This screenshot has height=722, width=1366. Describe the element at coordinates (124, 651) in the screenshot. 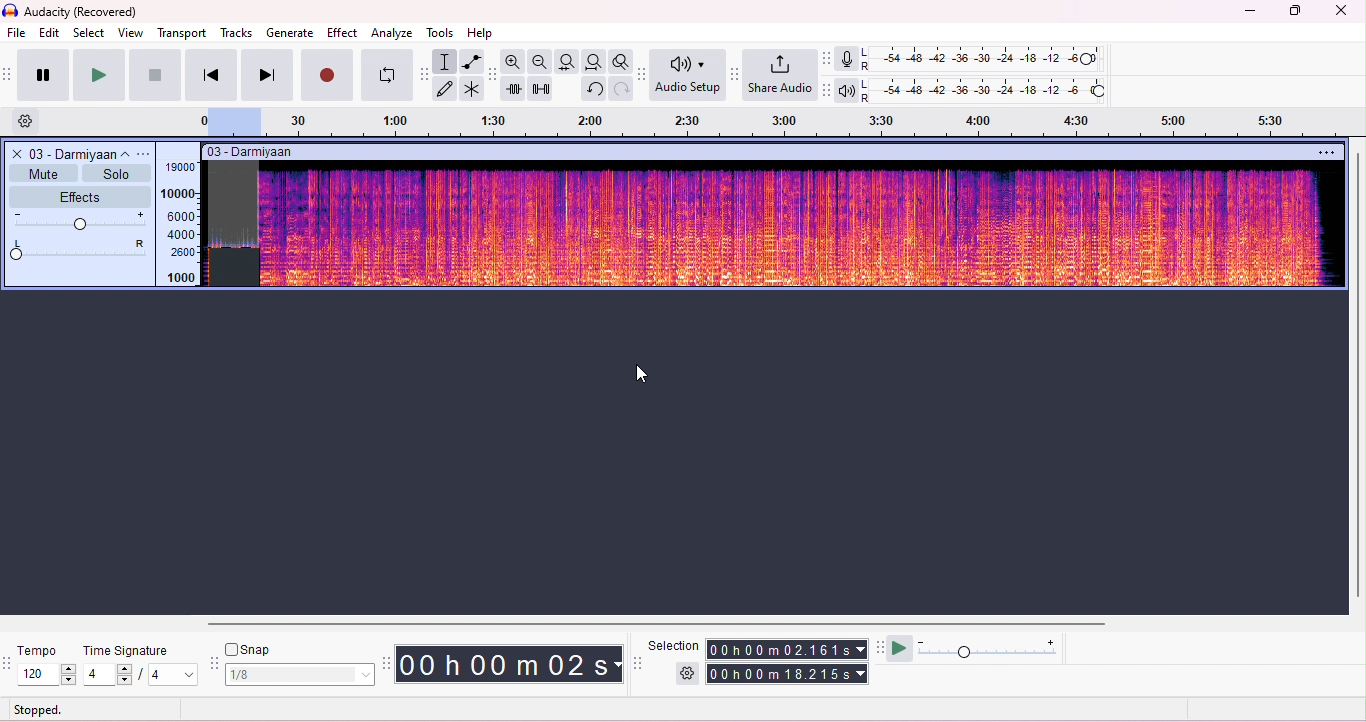

I see `time signature` at that location.